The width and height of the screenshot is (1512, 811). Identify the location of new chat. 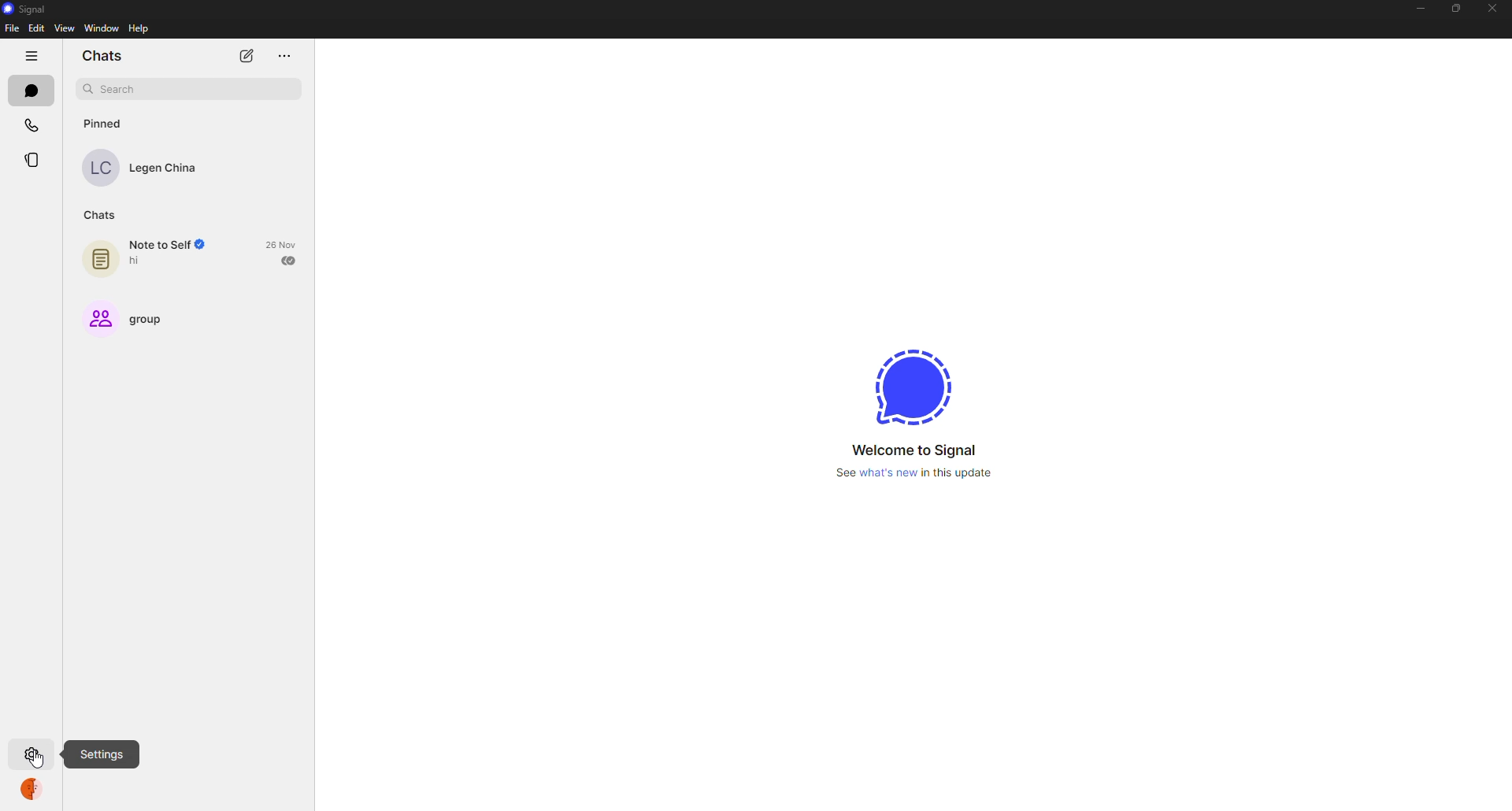
(246, 57).